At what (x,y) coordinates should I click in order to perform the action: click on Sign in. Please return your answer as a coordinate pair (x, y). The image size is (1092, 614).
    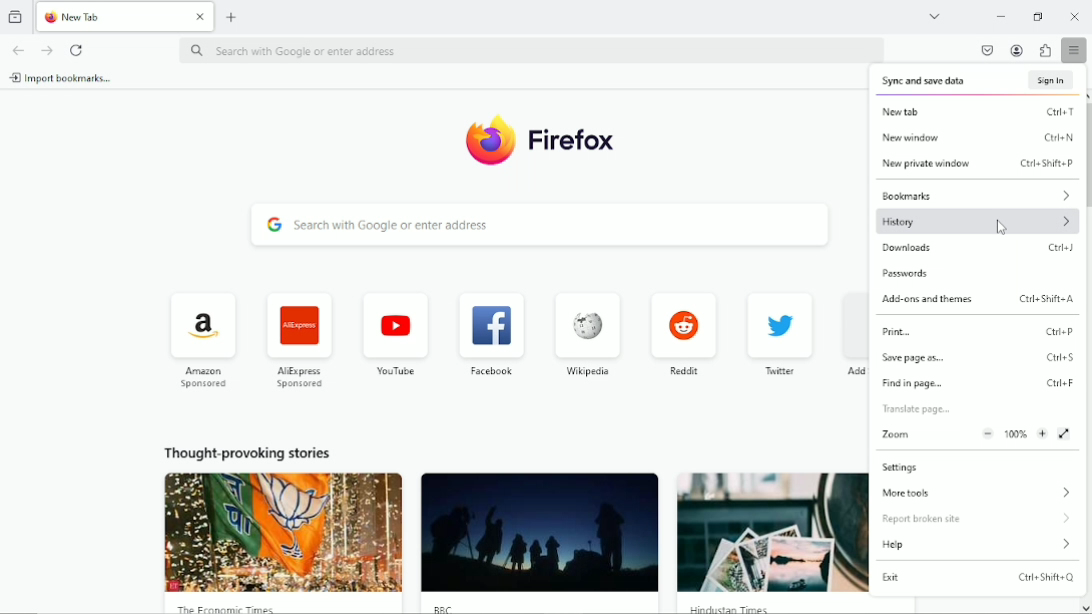
    Looking at the image, I should click on (1052, 79).